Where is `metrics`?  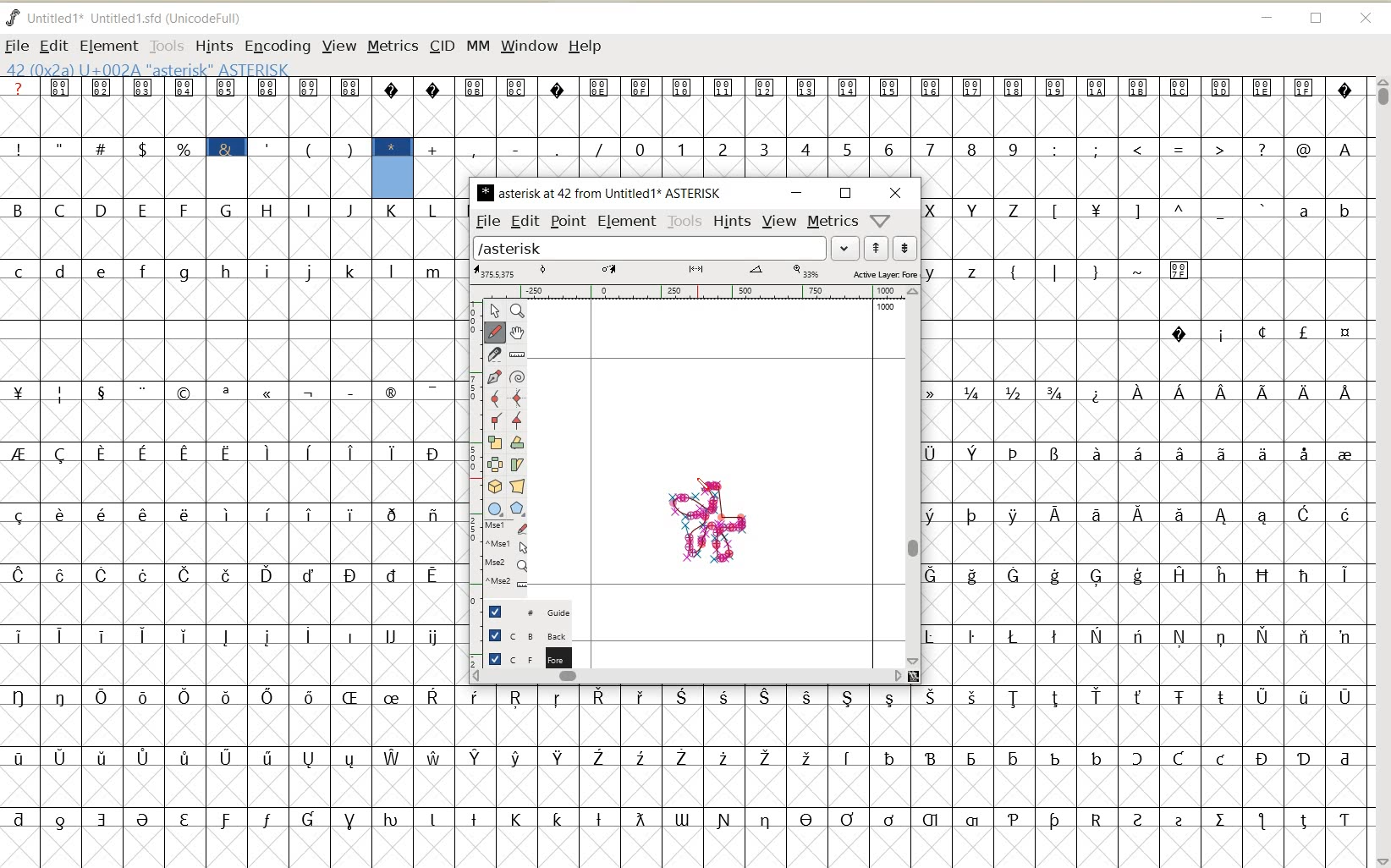
metrics is located at coordinates (833, 222).